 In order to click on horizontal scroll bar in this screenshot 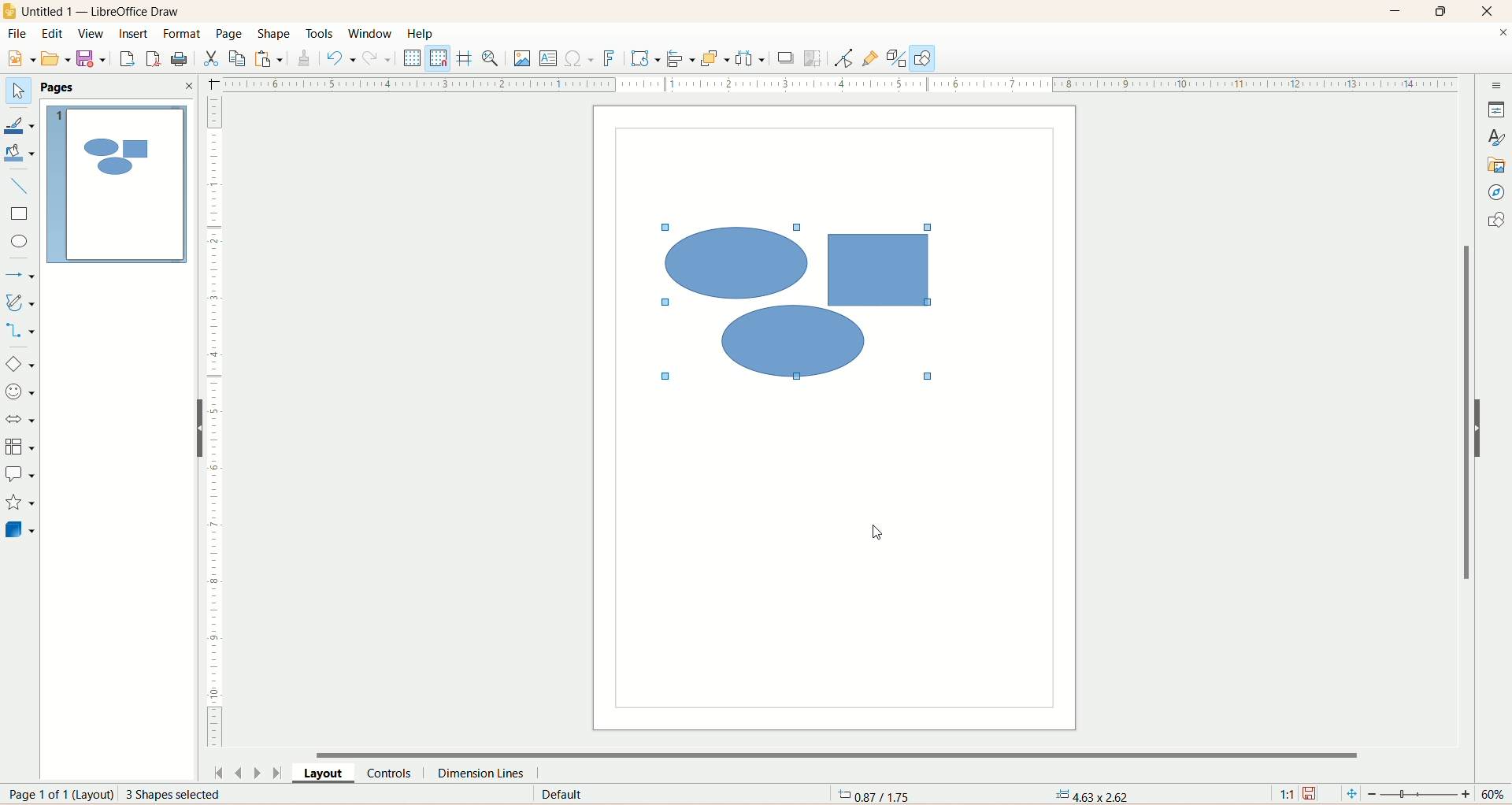, I will do `click(853, 753)`.